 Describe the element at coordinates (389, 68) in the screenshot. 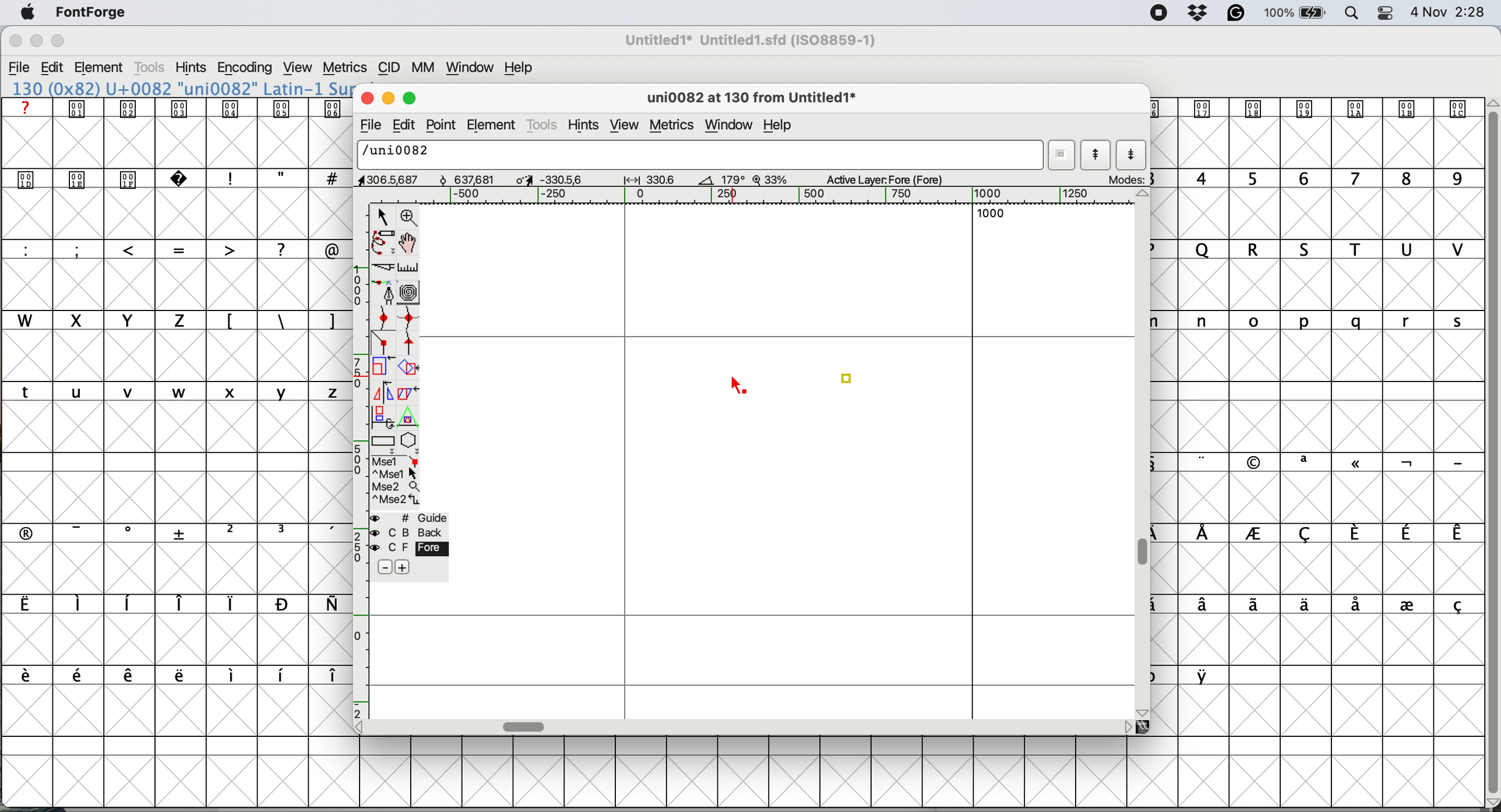

I see `cid` at that location.